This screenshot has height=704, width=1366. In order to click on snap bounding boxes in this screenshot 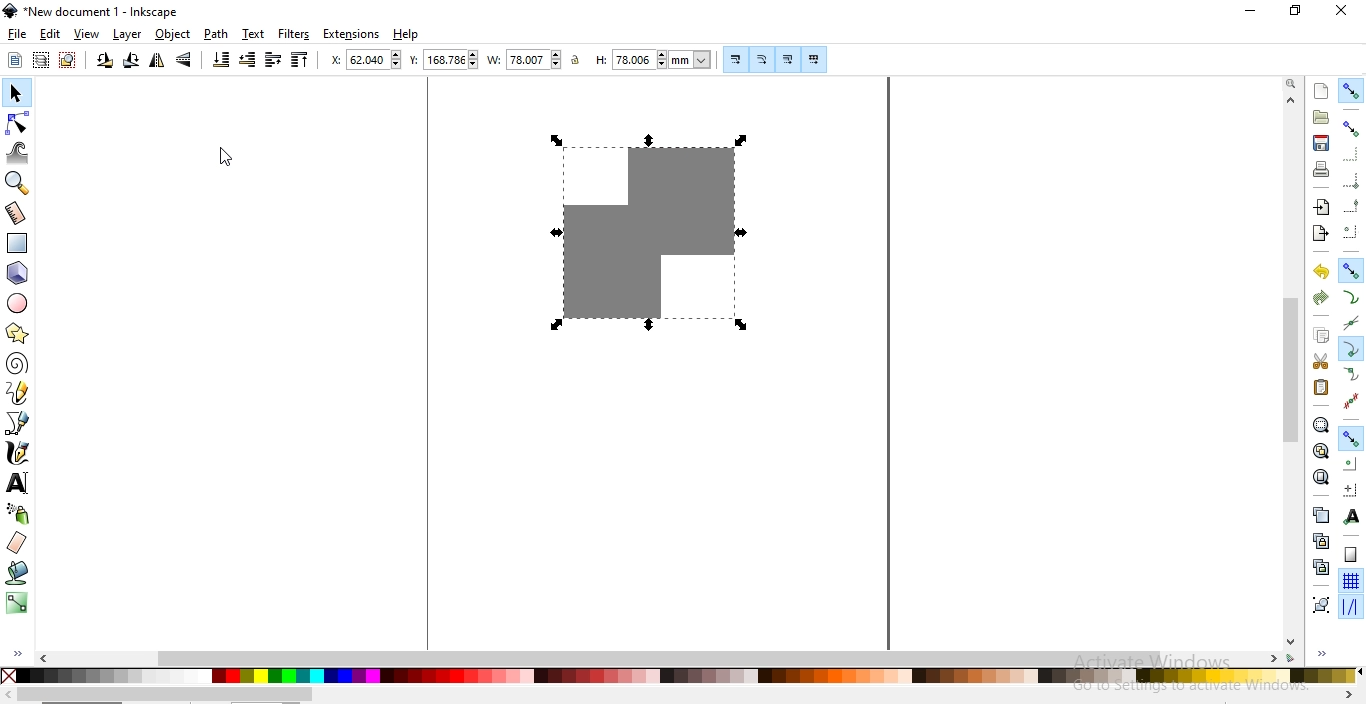, I will do `click(1353, 128)`.